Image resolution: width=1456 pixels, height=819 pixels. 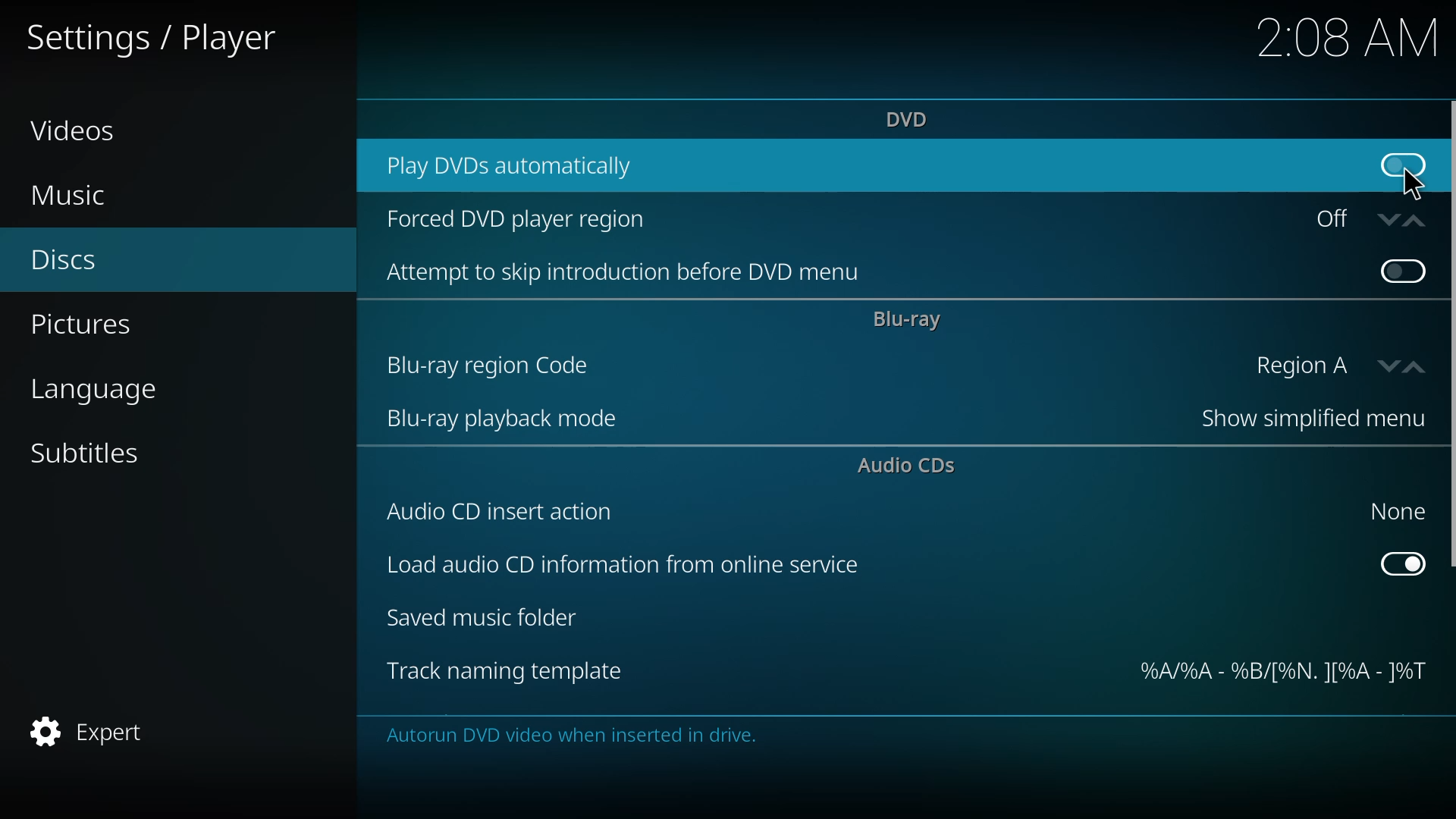 What do you see at coordinates (92, 731) in the screenshot?
I see `expert` at bounding box center [92, 731].